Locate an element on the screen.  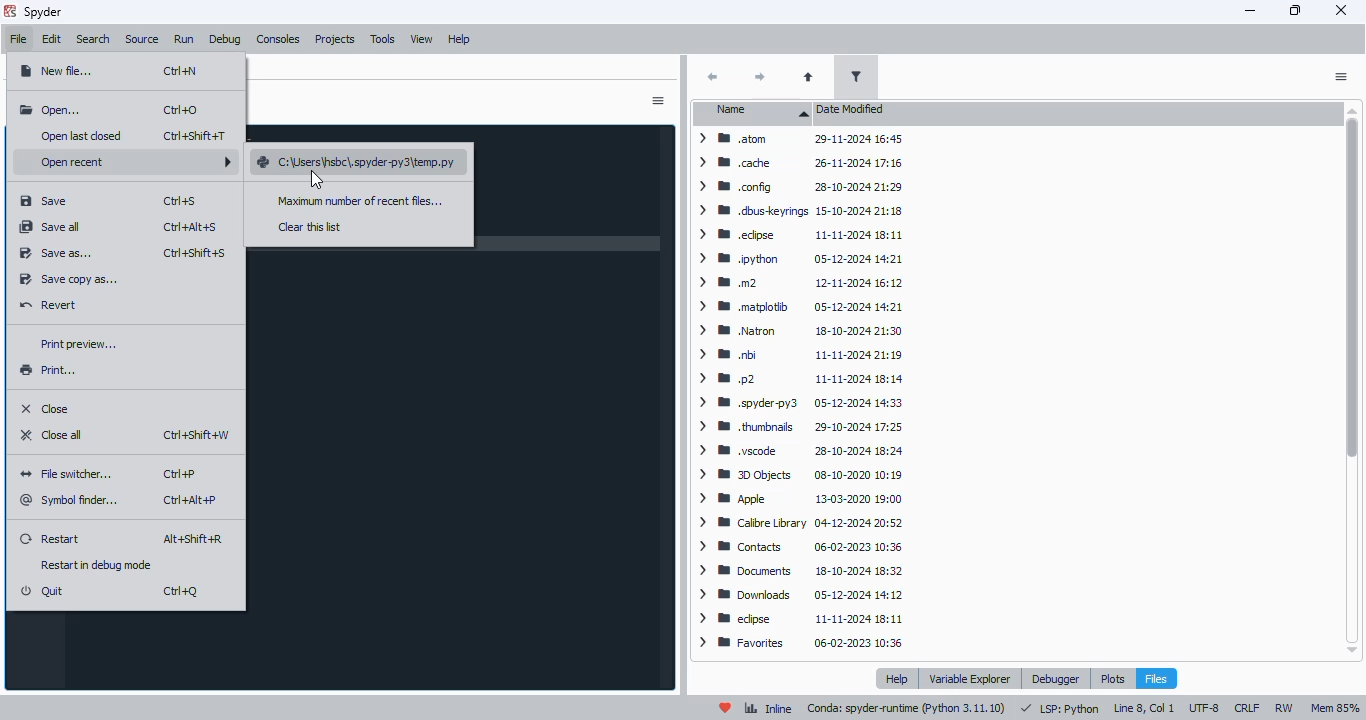
maximum number of recent files is located at coordinates (359, 201).